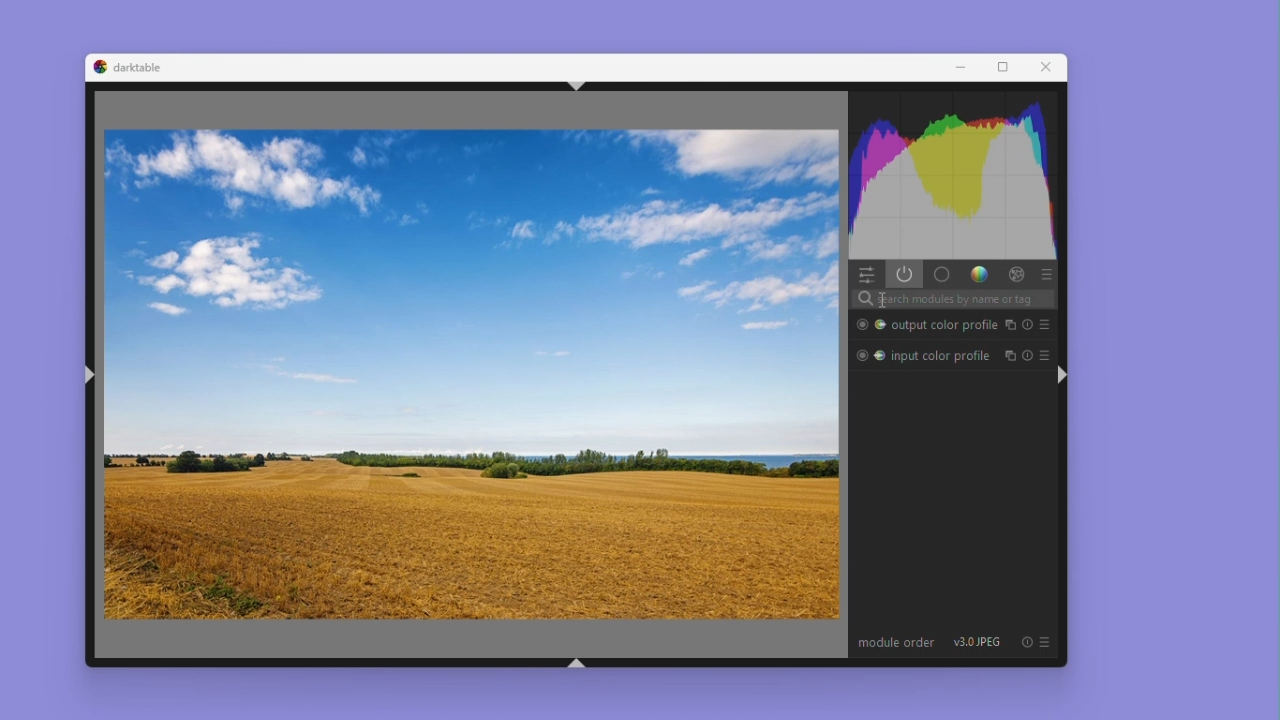 This screenshot has width=1280, height=720. I want to click on Quick access, so click(866, 275).